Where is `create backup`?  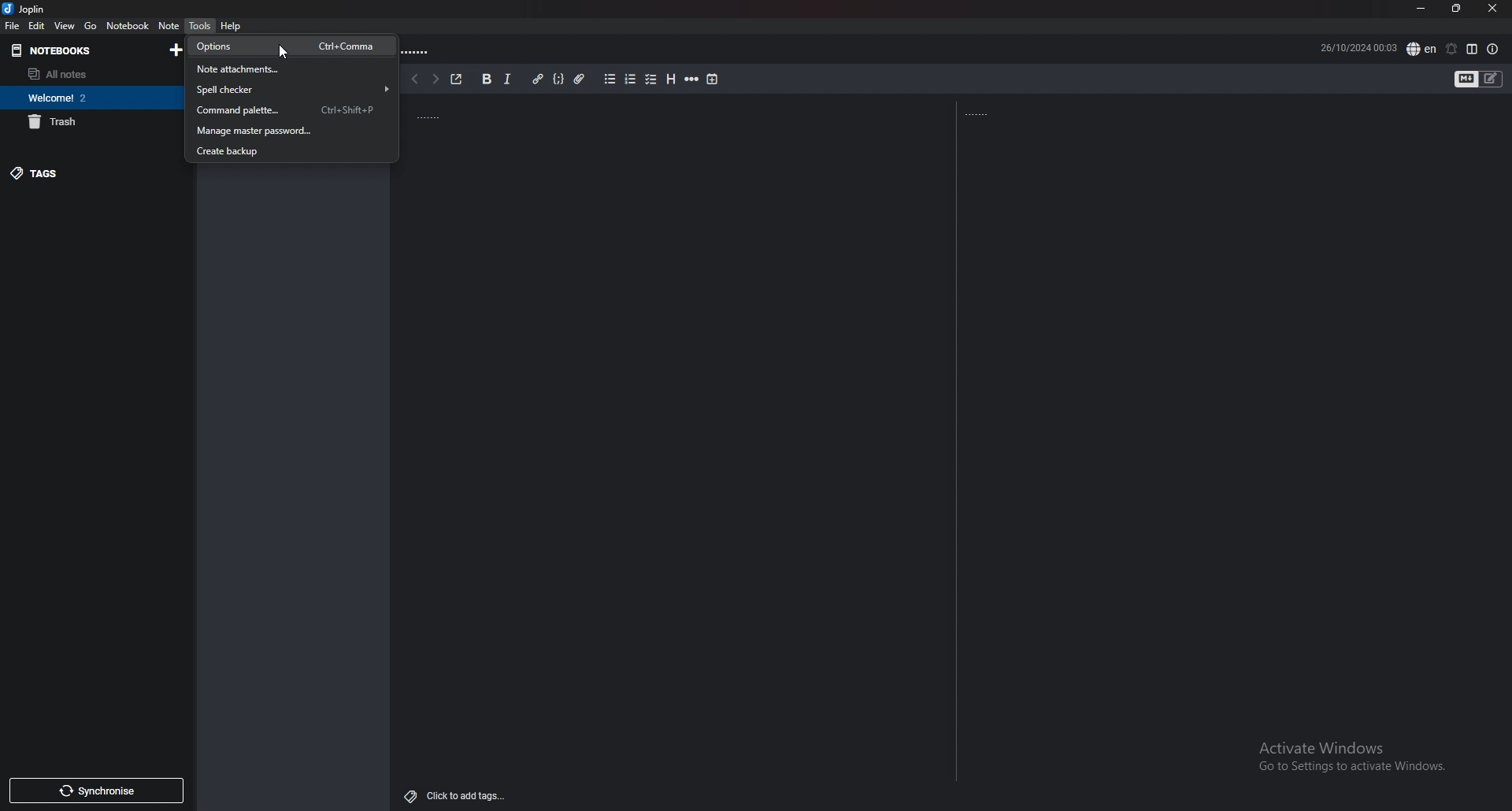
create backup is located at coordinates (287, 150).